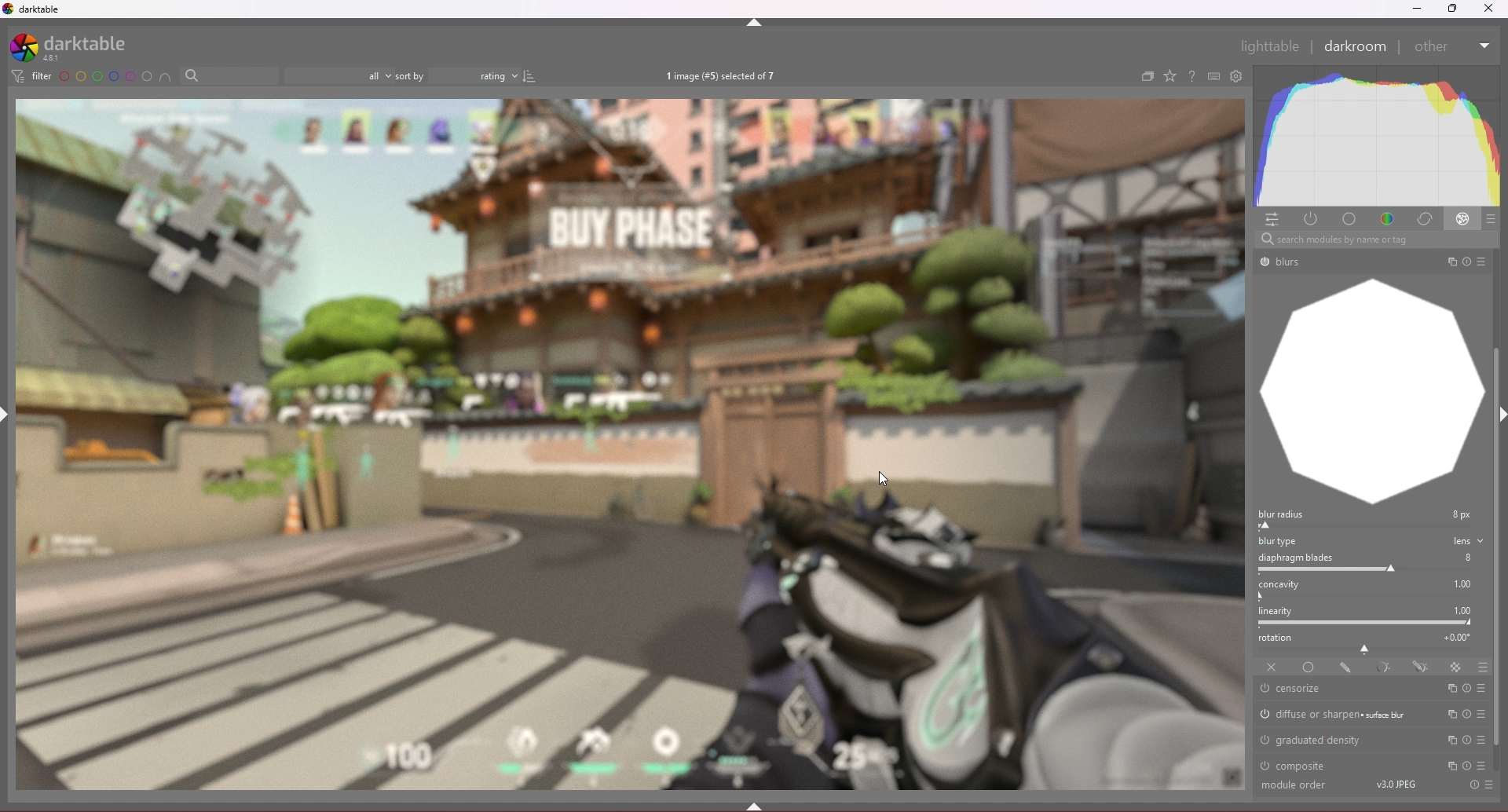 The width and height of the screenshot is (1508, 812). Describe the element at coordinates (1309, 668) in the screenshot. I see `uniformly` at that location.